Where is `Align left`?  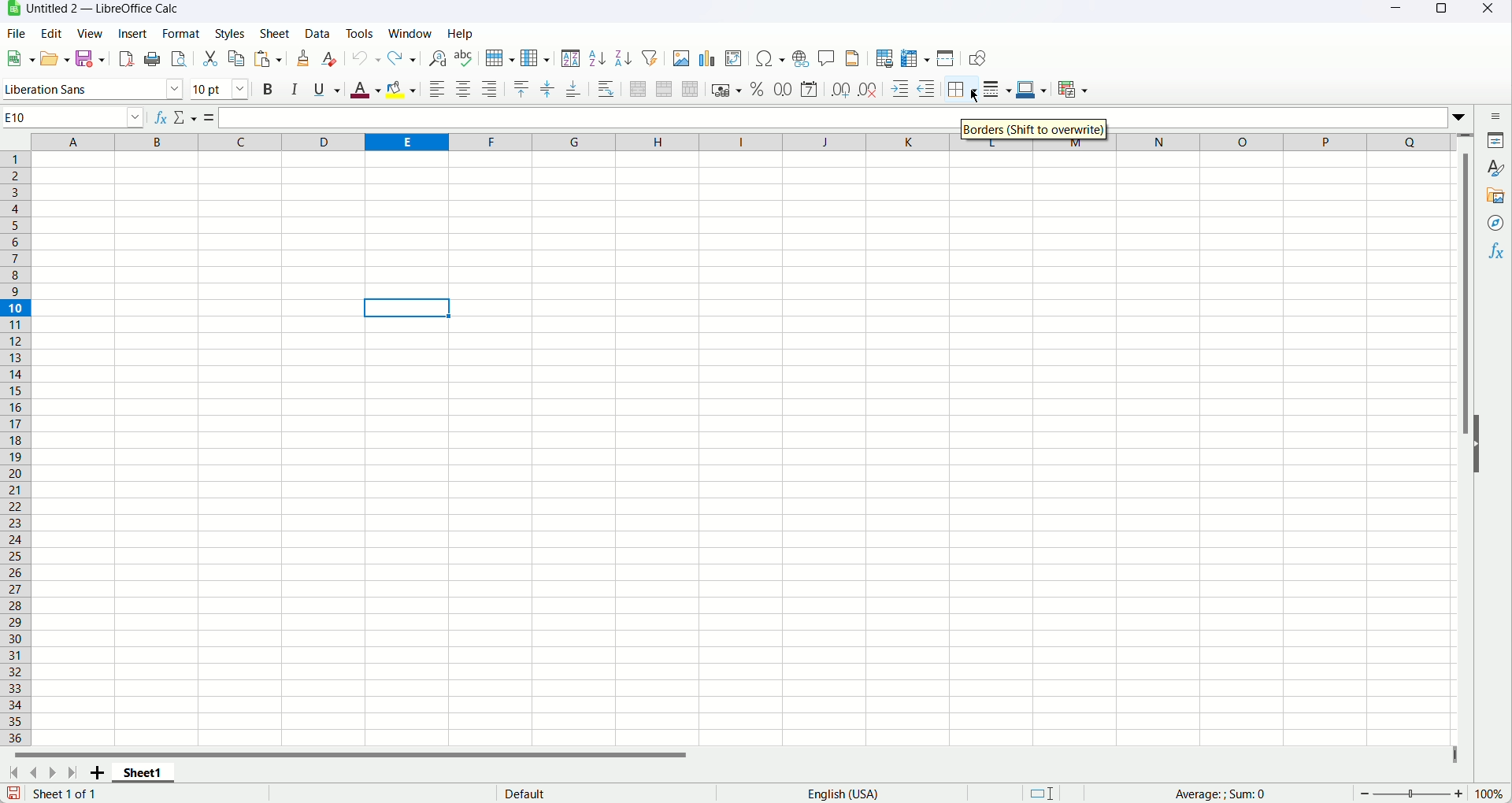
Align left is located at coordinates (436, 90).